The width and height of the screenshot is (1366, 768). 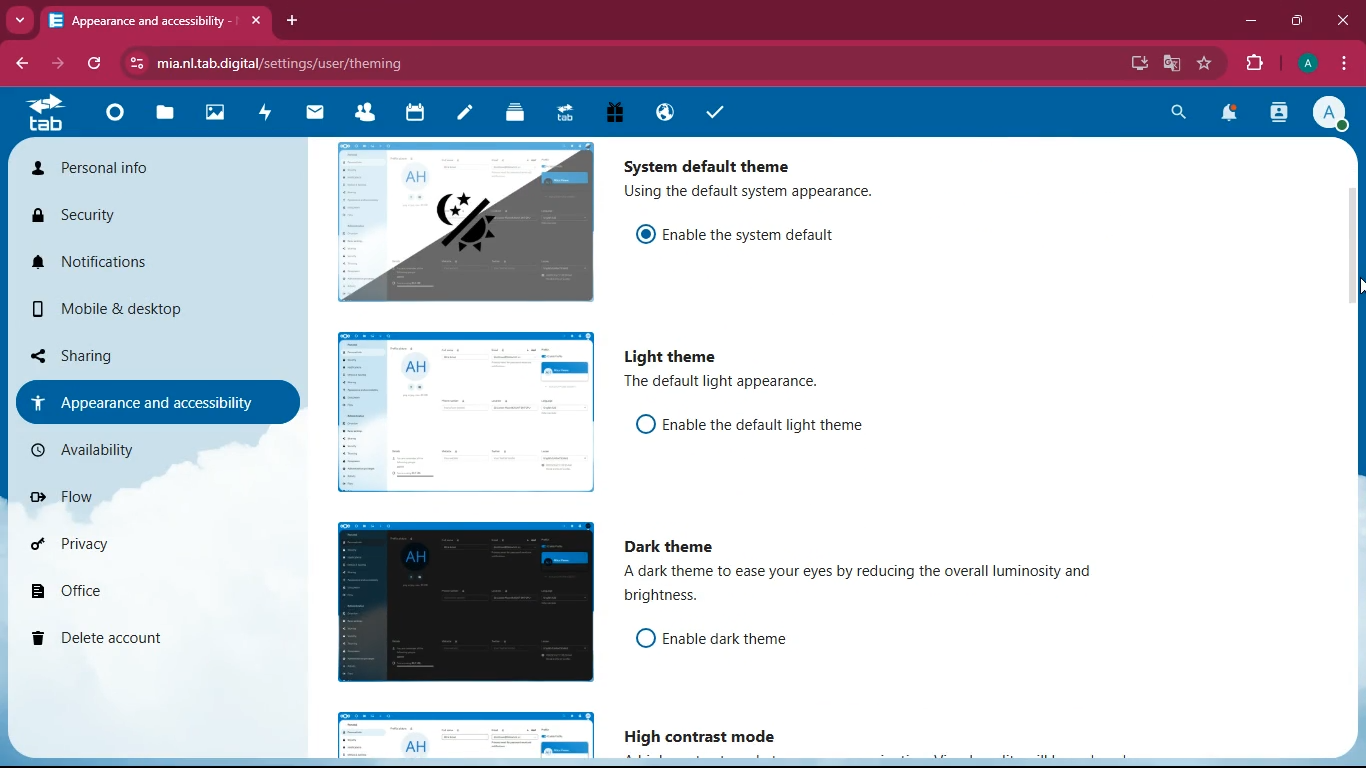 What do you see at coordinates (114, 118) in the screenshot?
I see `home` at bounding box center [114, 118].